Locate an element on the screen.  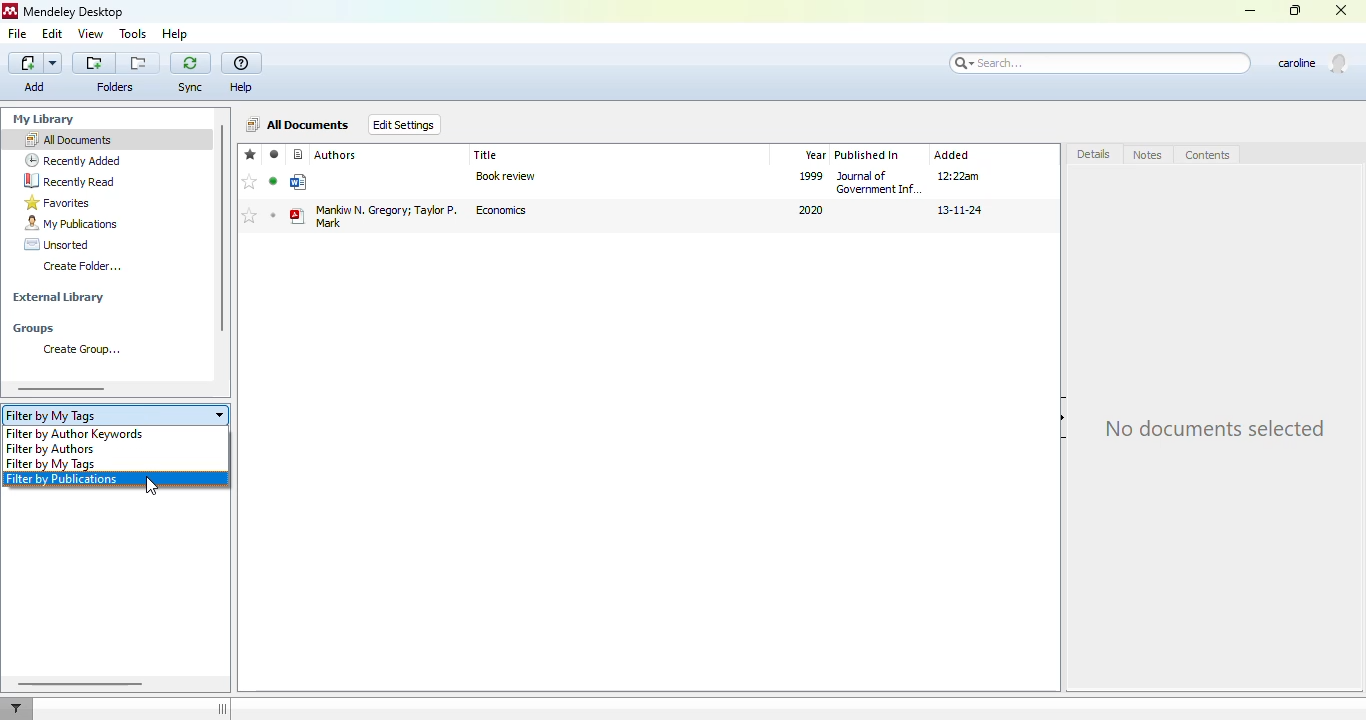
profile is located at coordinates (1314, 63).